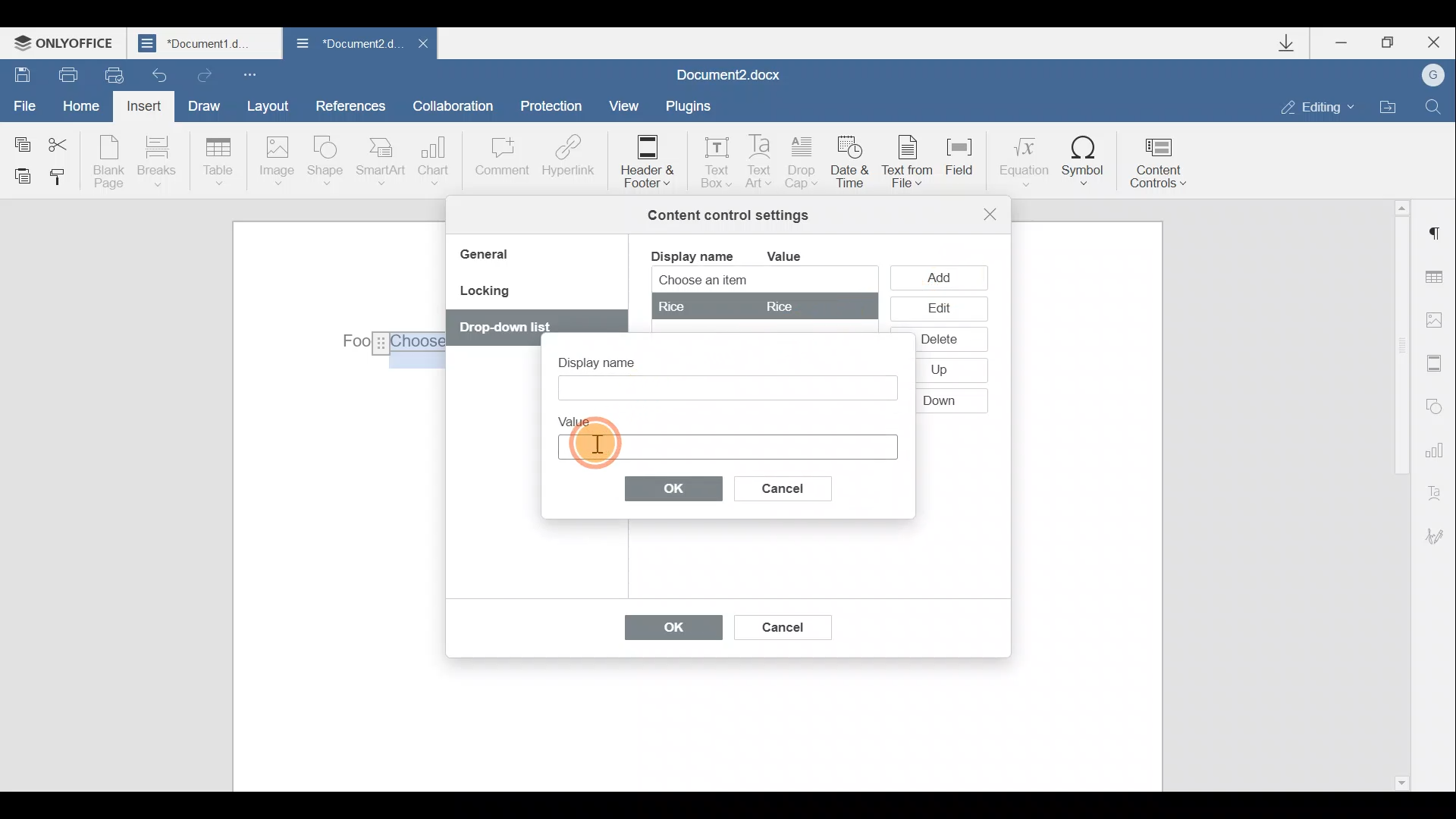 Image resolution: width=1456 pixels, height=819 pixels. What do you see at coordinates (728, 215) in the screenshot?
I see `Content control settings` at bounding box center [728, 215].